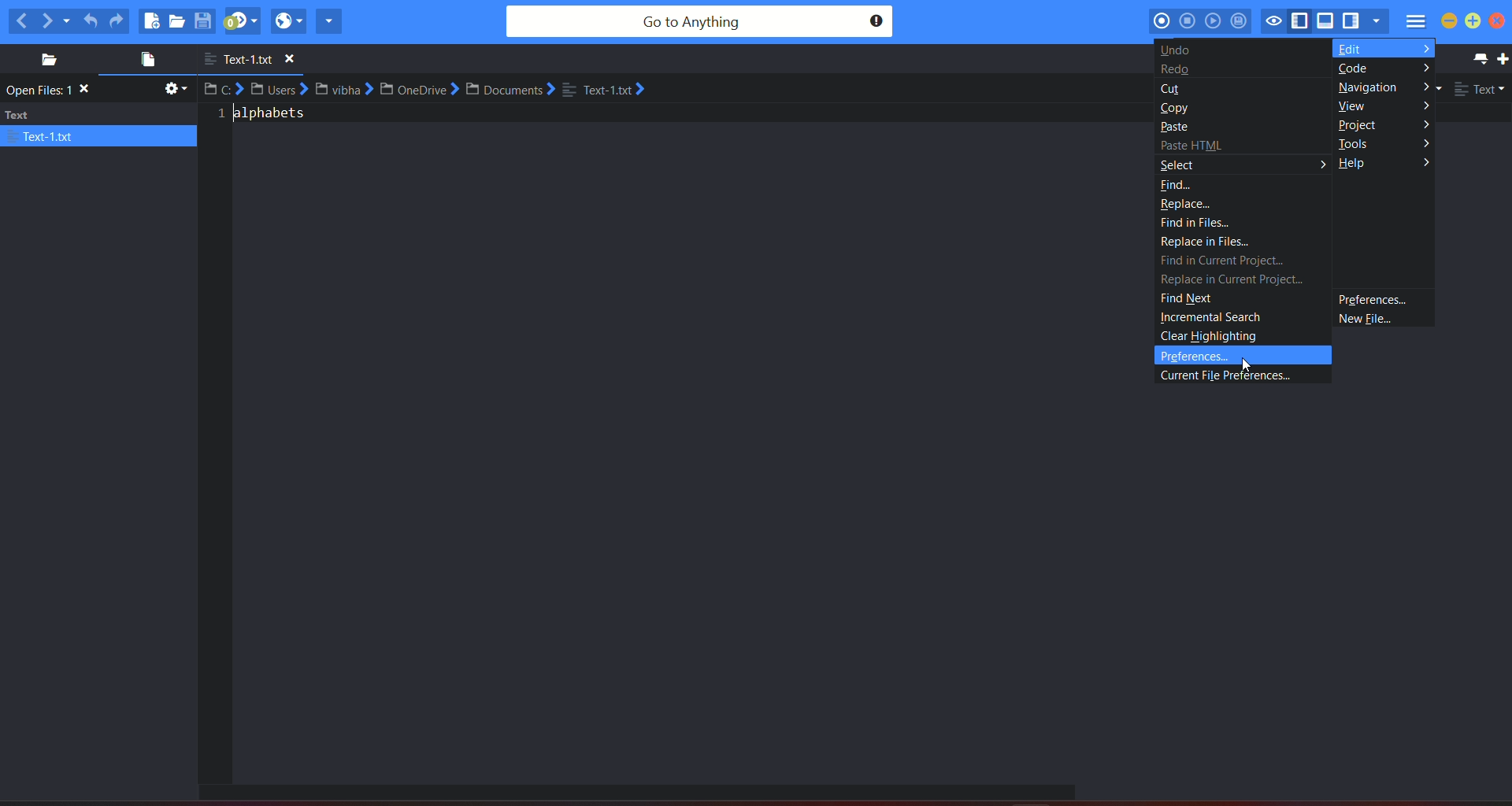 The height and width of the screenshot is (806, 1512). I want to click on preferences, so click(1244, 356).